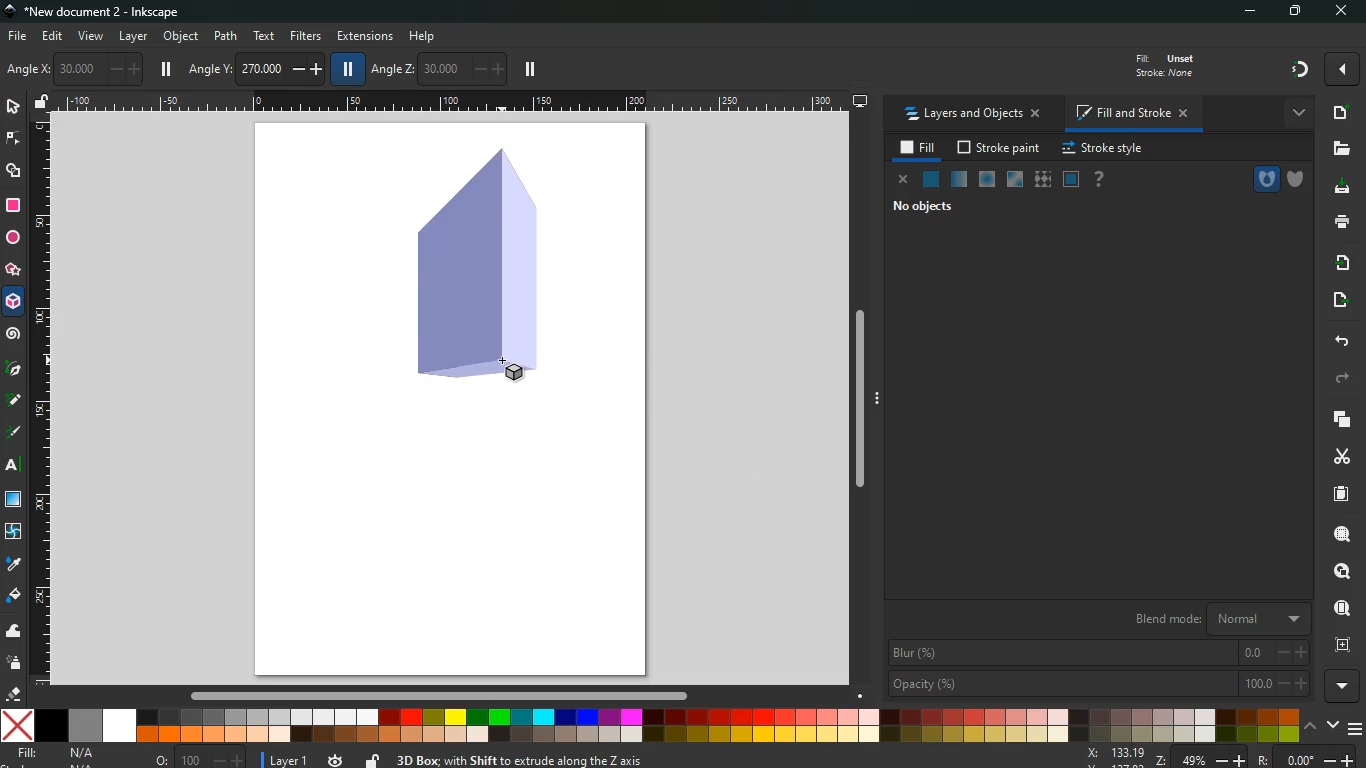  Describe the element at coordinates (1341, 221) in the screenshot. I see `print` at that location.